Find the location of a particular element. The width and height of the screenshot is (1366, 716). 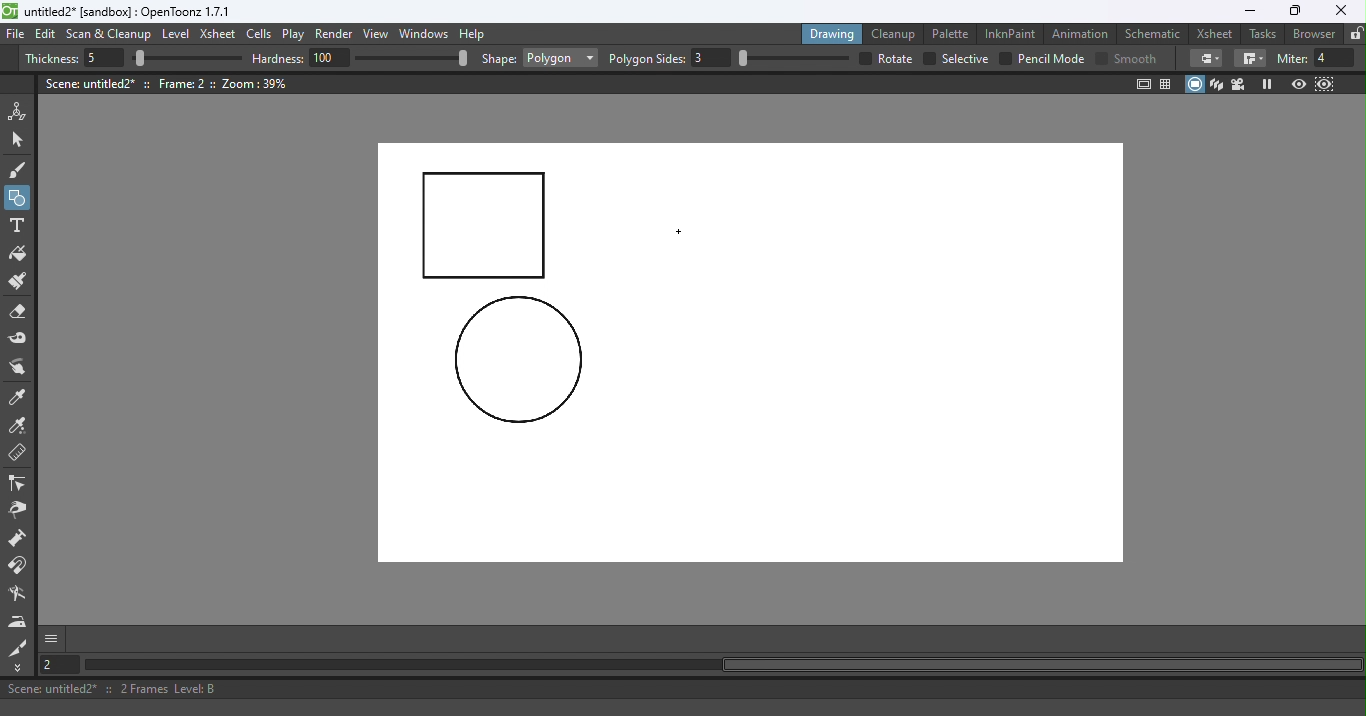

Xsheet is located at coordinates (1217, 33).